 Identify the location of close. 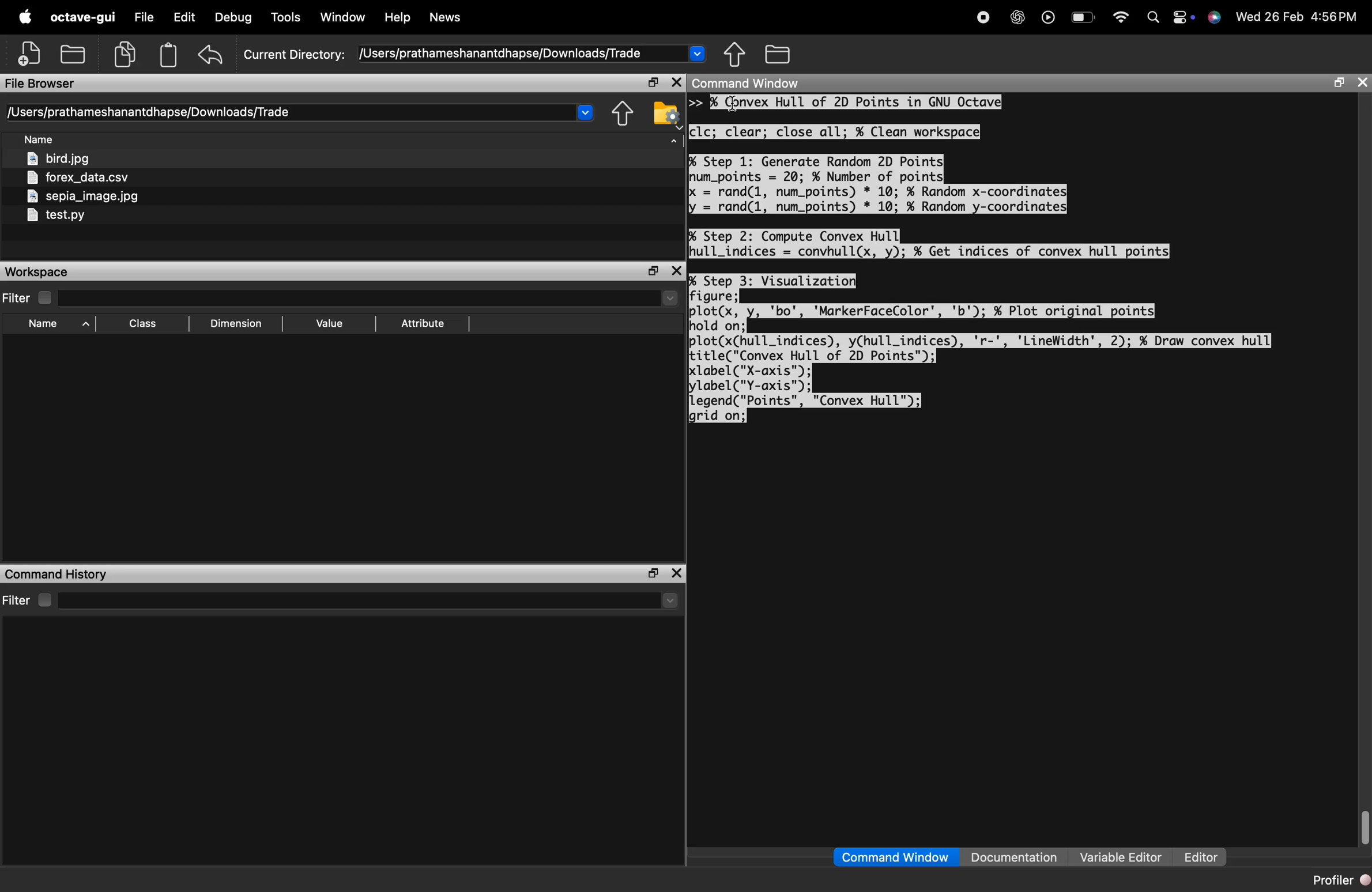
(678, 83).